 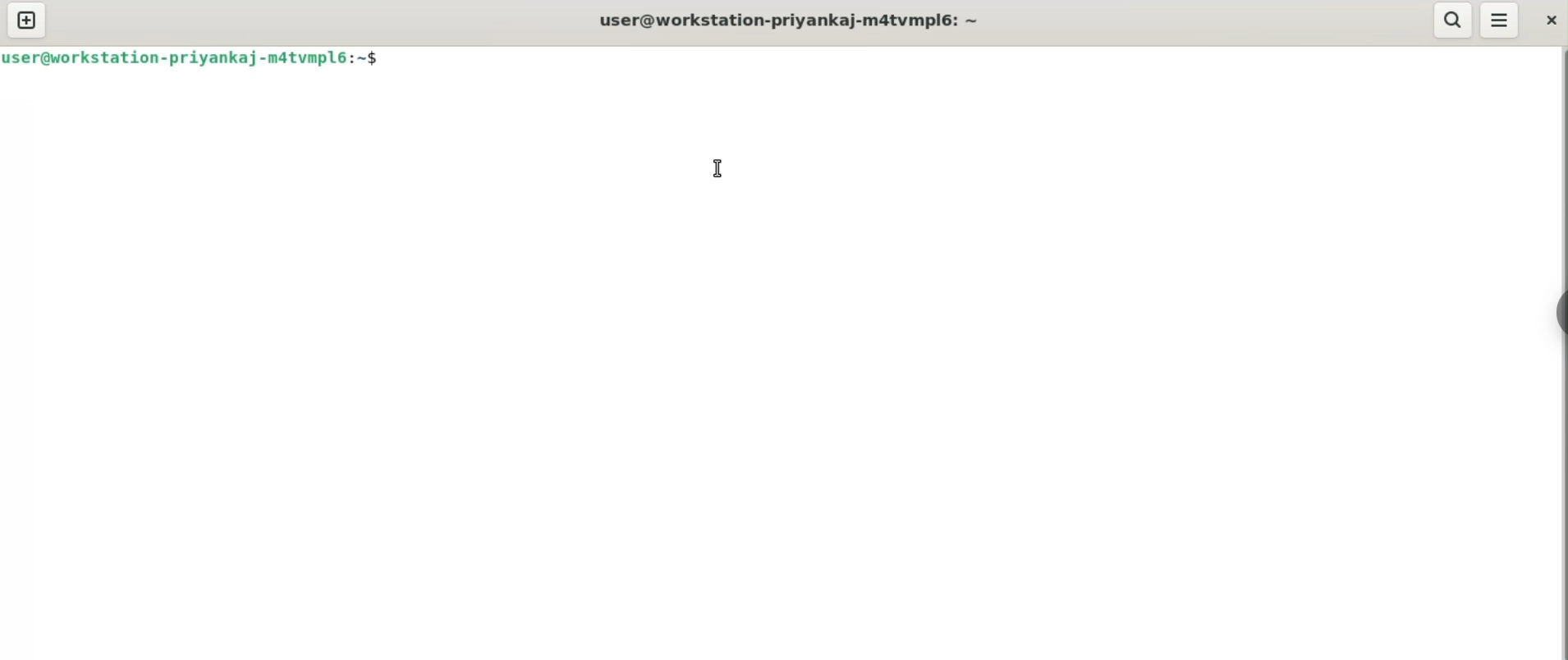 I want to click on close, so click(x=1549, y=20).